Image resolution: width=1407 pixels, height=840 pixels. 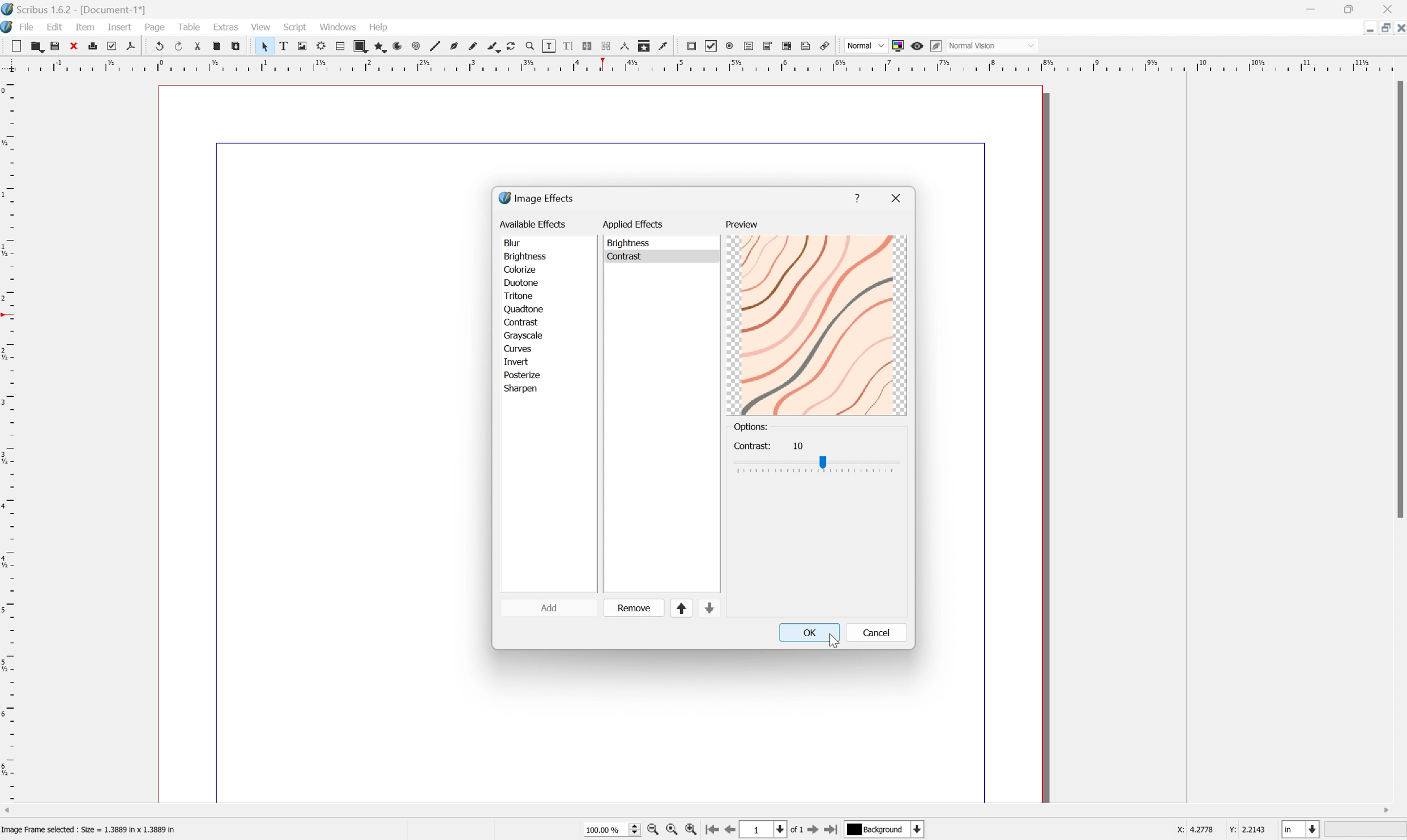 What do you see at coordinates (534, 224) in the screenshot?
I see `available effects` at bounding box center [534, 224].